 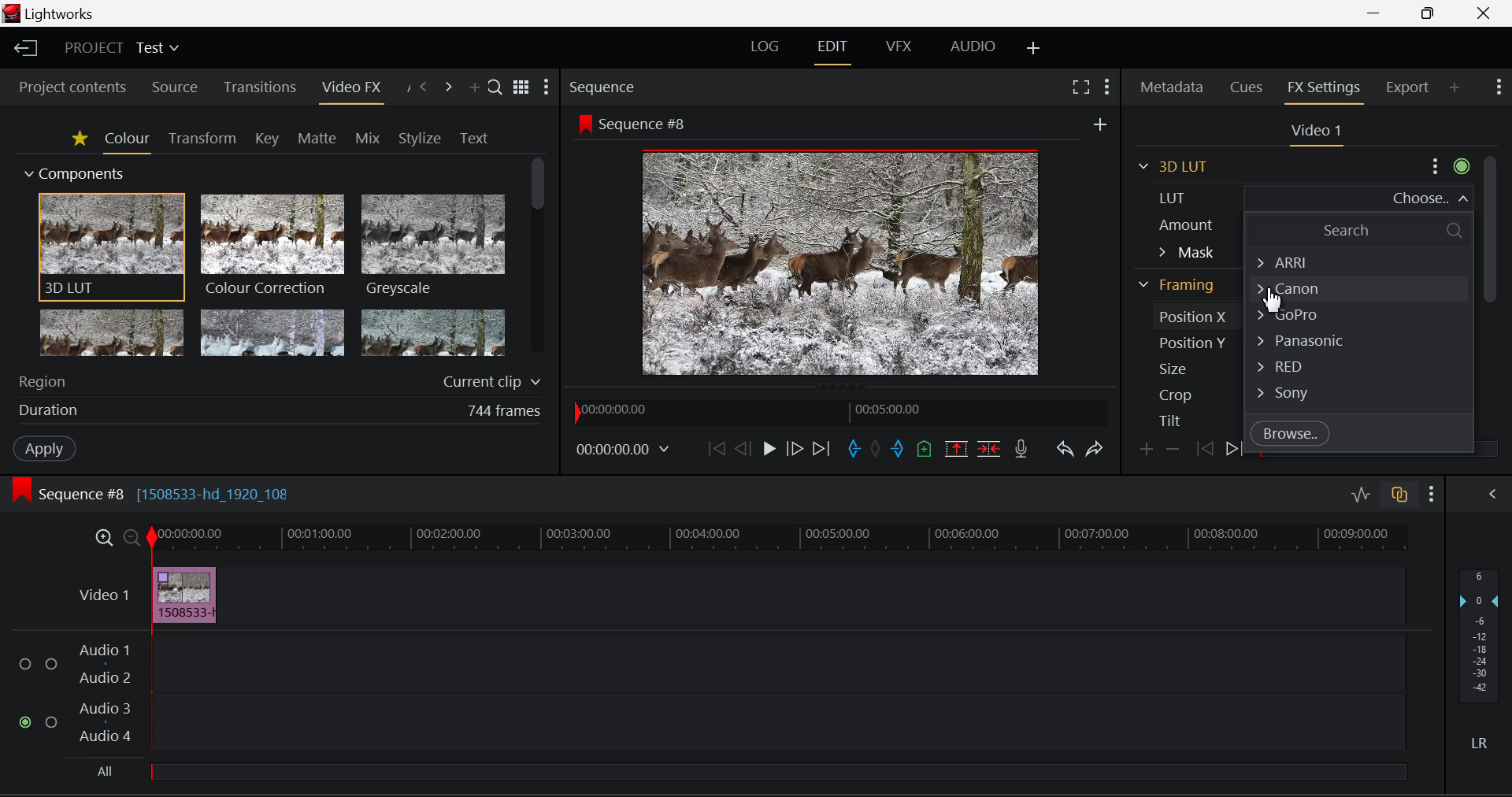 What do you see at coordinates (822, 451) in the screenshot?
I see `To End` at bounding box center [822, 451].